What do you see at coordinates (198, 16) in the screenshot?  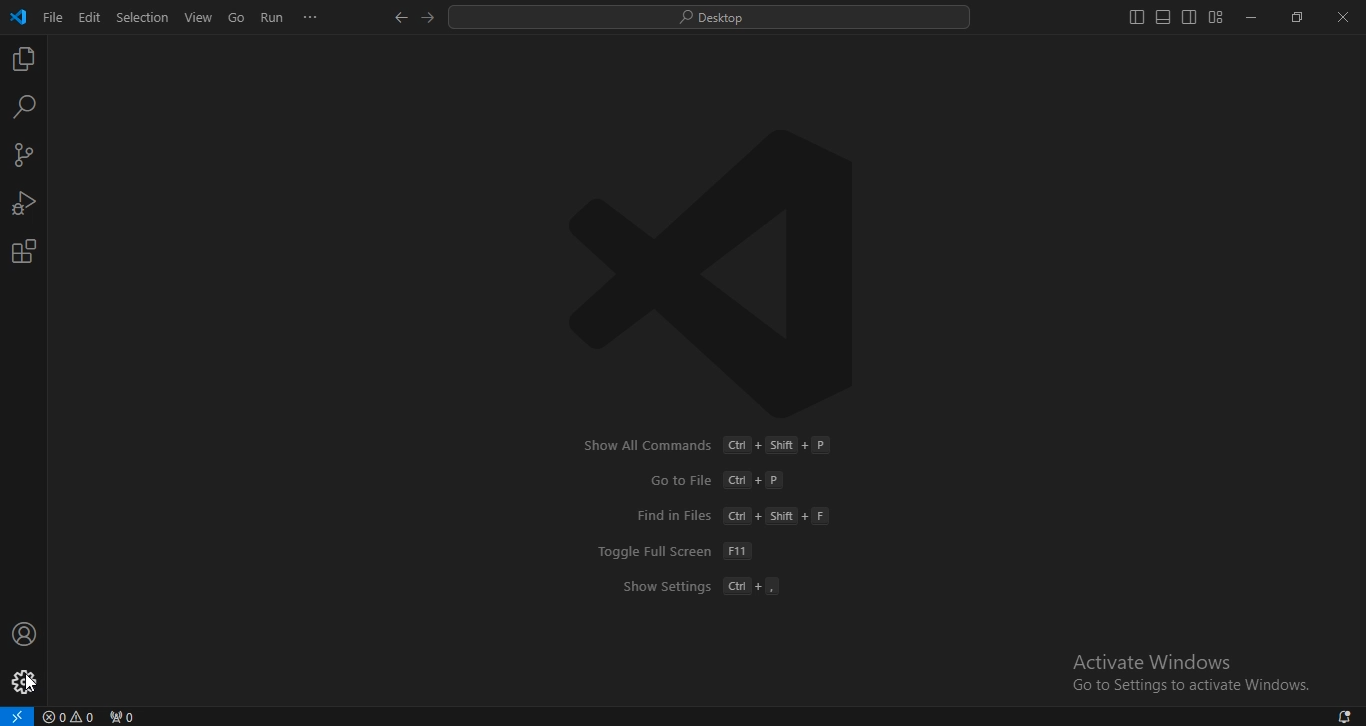 I see `view` at bounding box center [198, 16].